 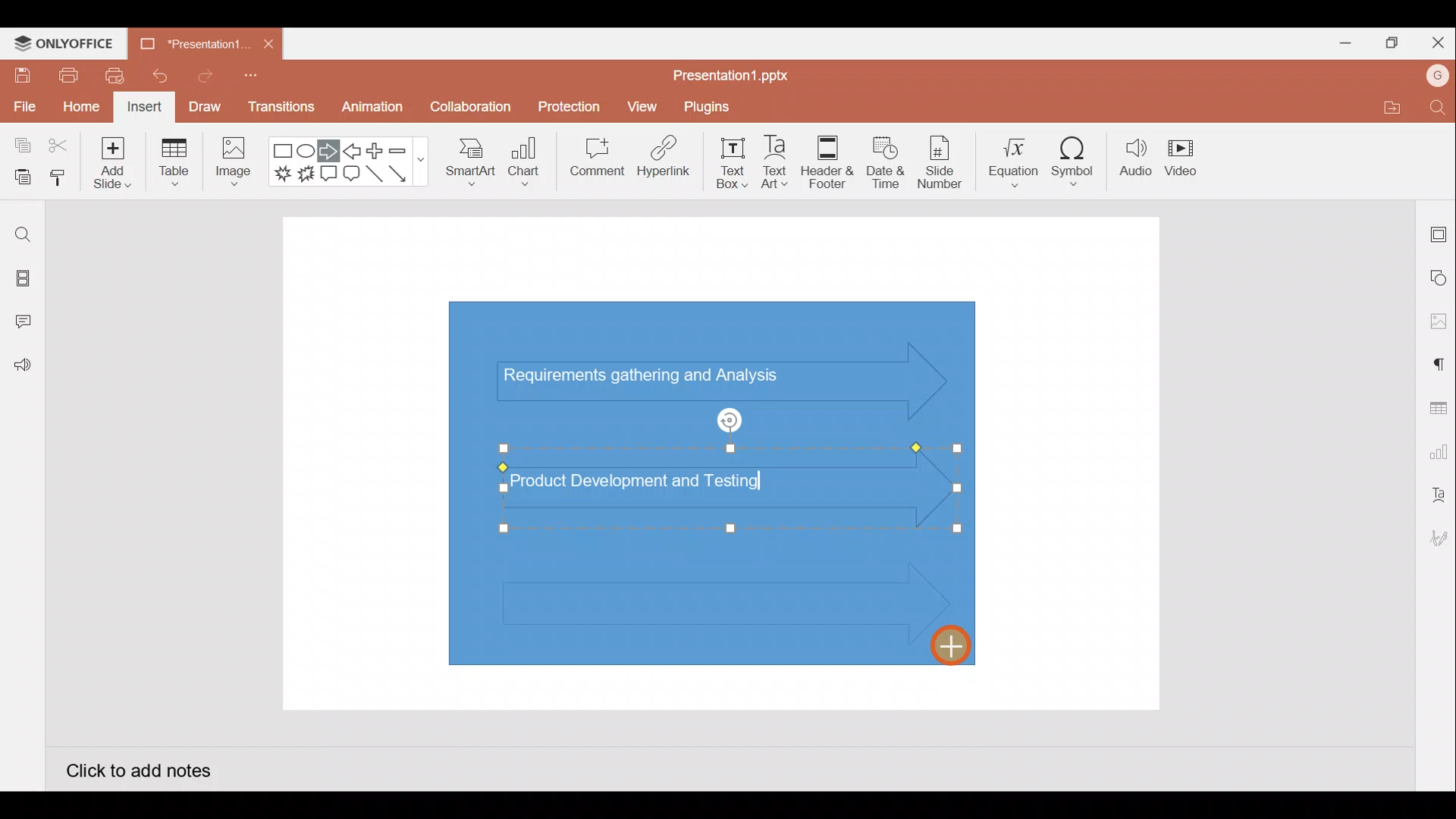 What do you see at coordinates (406, 149) in the screenshot?
I see `Minus` at bounding box center [406, 149].